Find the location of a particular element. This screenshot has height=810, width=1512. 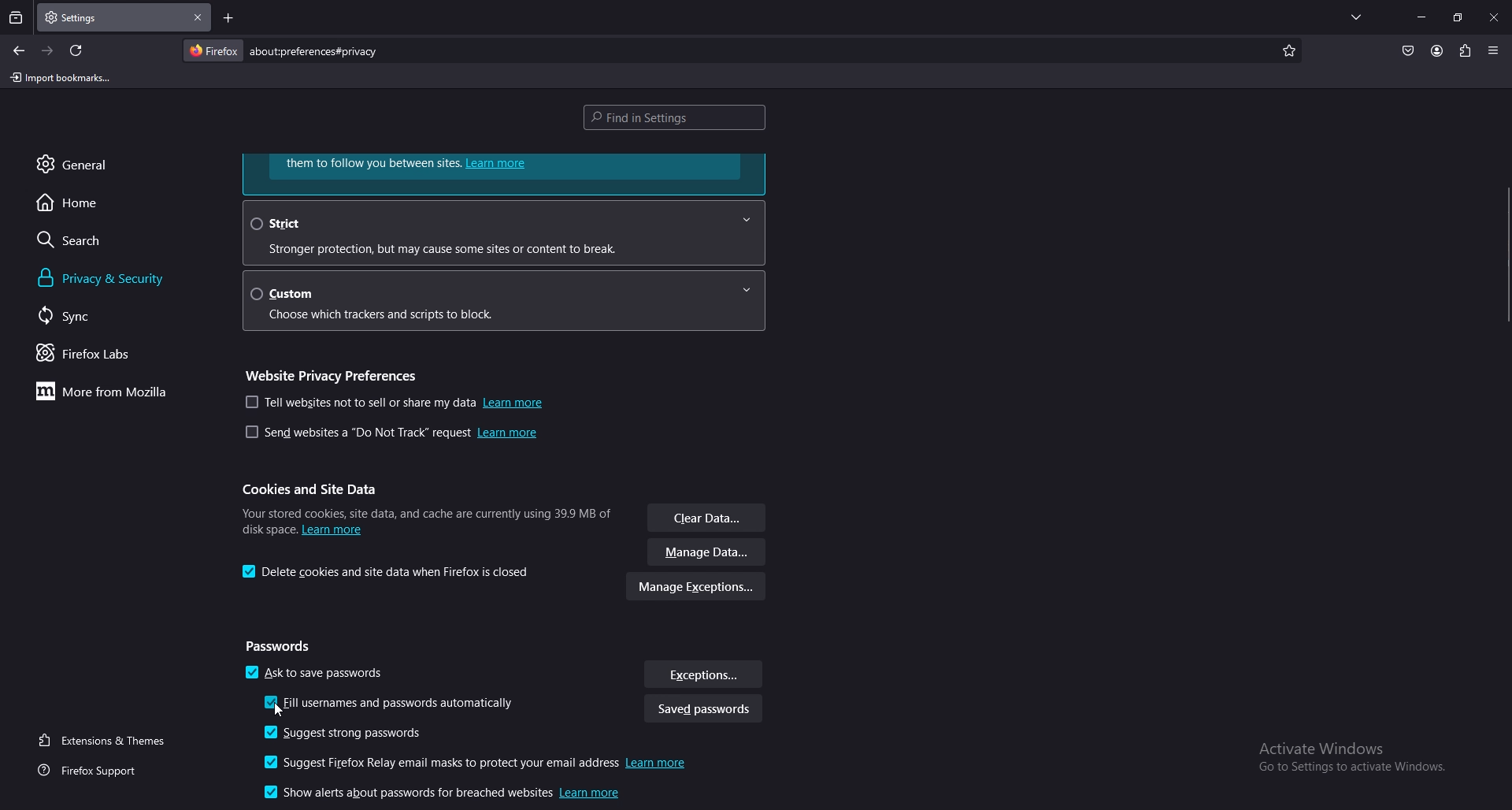

info is located at coordinates (425, 518).